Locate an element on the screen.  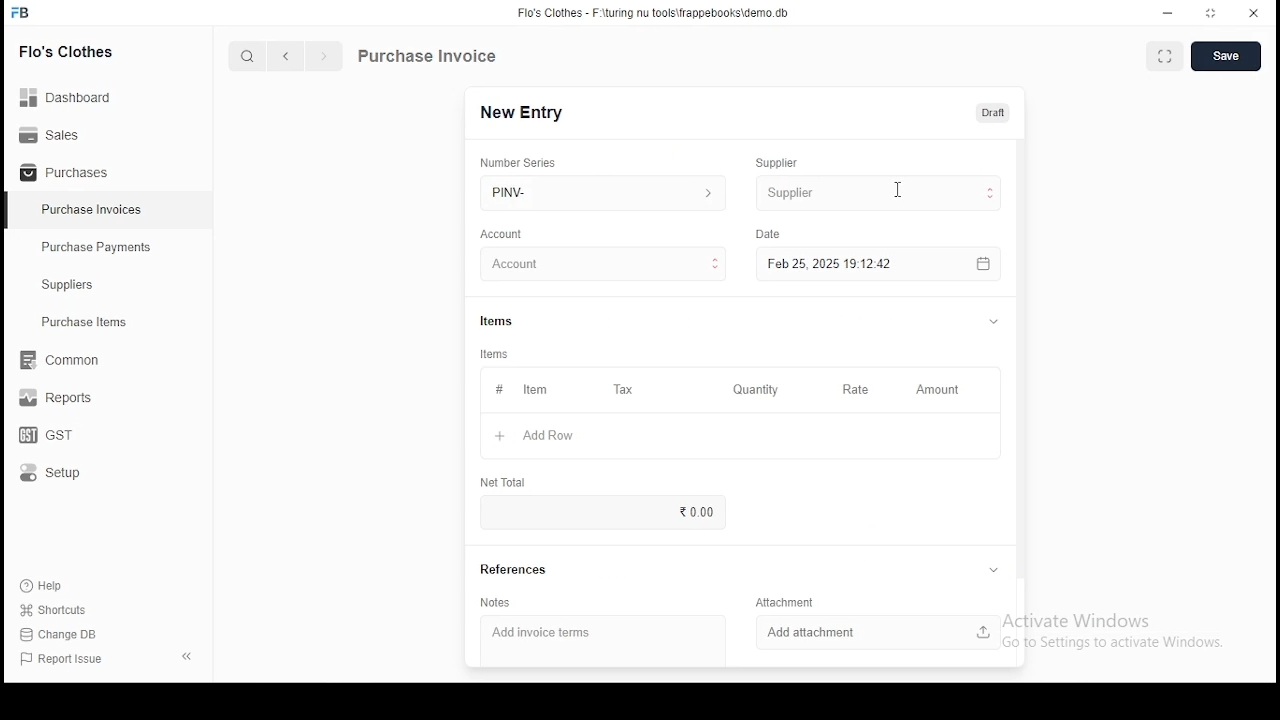
add attachment is located at coordinates (879, 631).